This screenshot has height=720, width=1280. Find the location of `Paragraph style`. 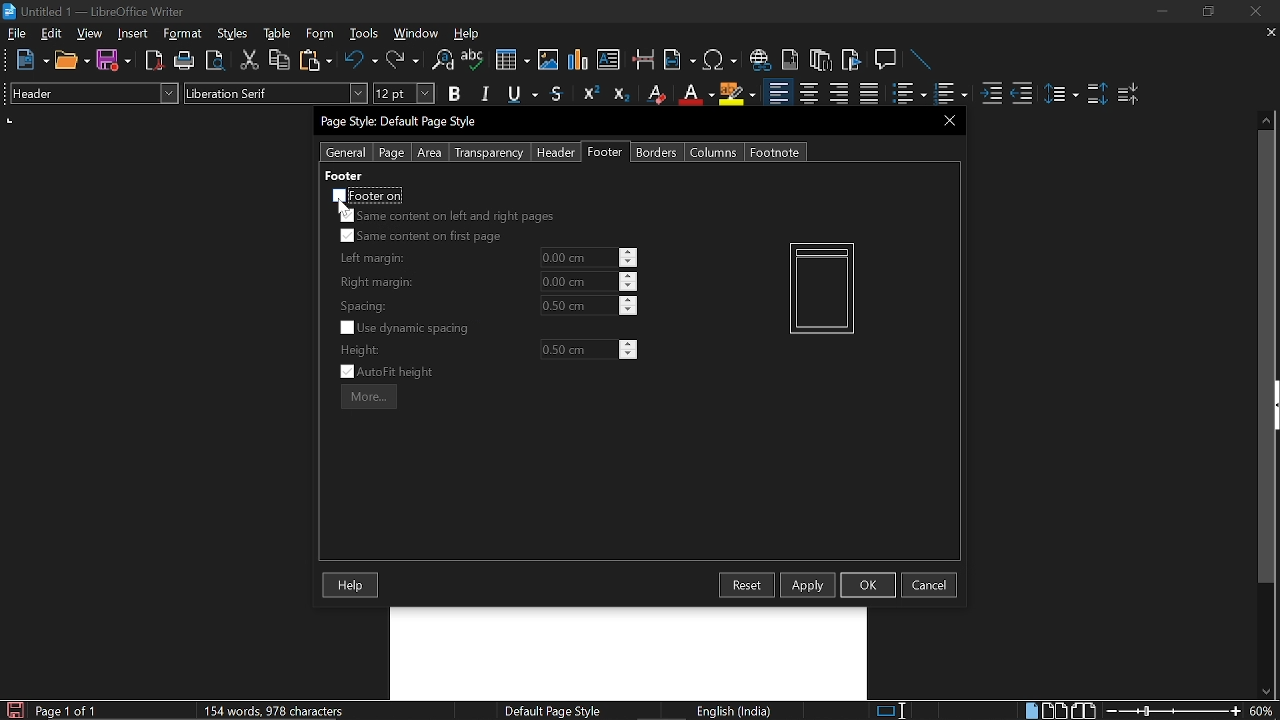

Paragraph style is located at coordinates (91, 93).